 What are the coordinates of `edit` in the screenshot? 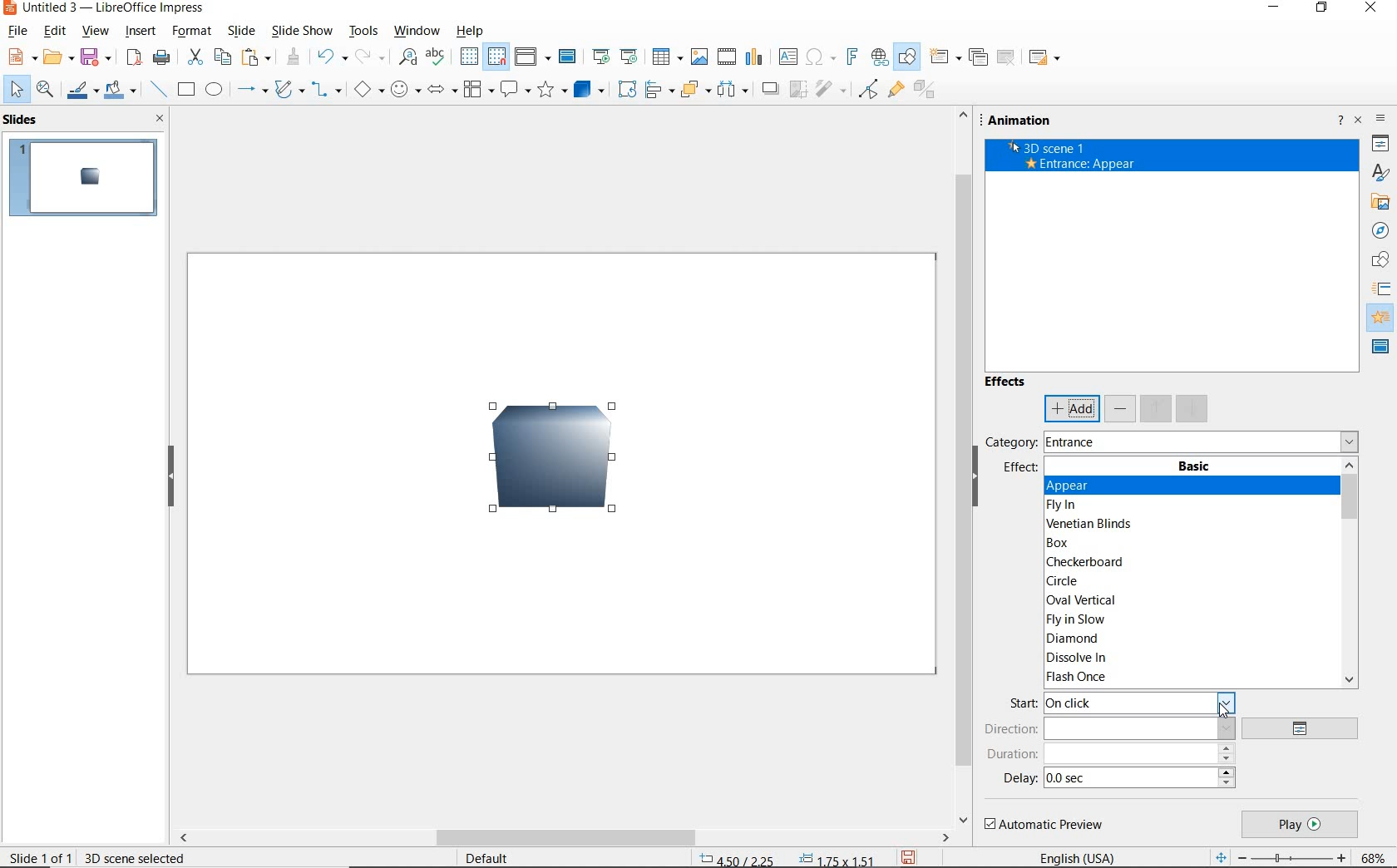 It's located at (55, 32).